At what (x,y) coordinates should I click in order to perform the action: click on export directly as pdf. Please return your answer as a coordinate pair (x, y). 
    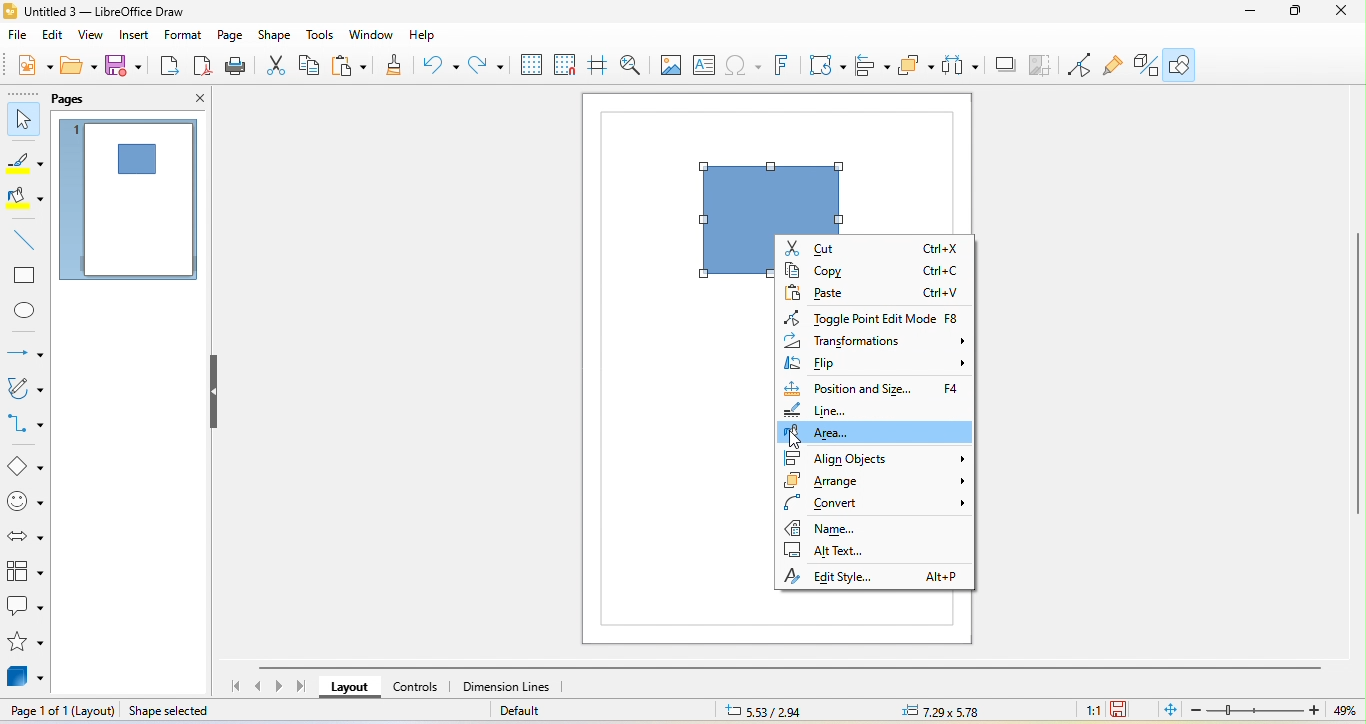
    Looking at the image, I should click on (201, 69).